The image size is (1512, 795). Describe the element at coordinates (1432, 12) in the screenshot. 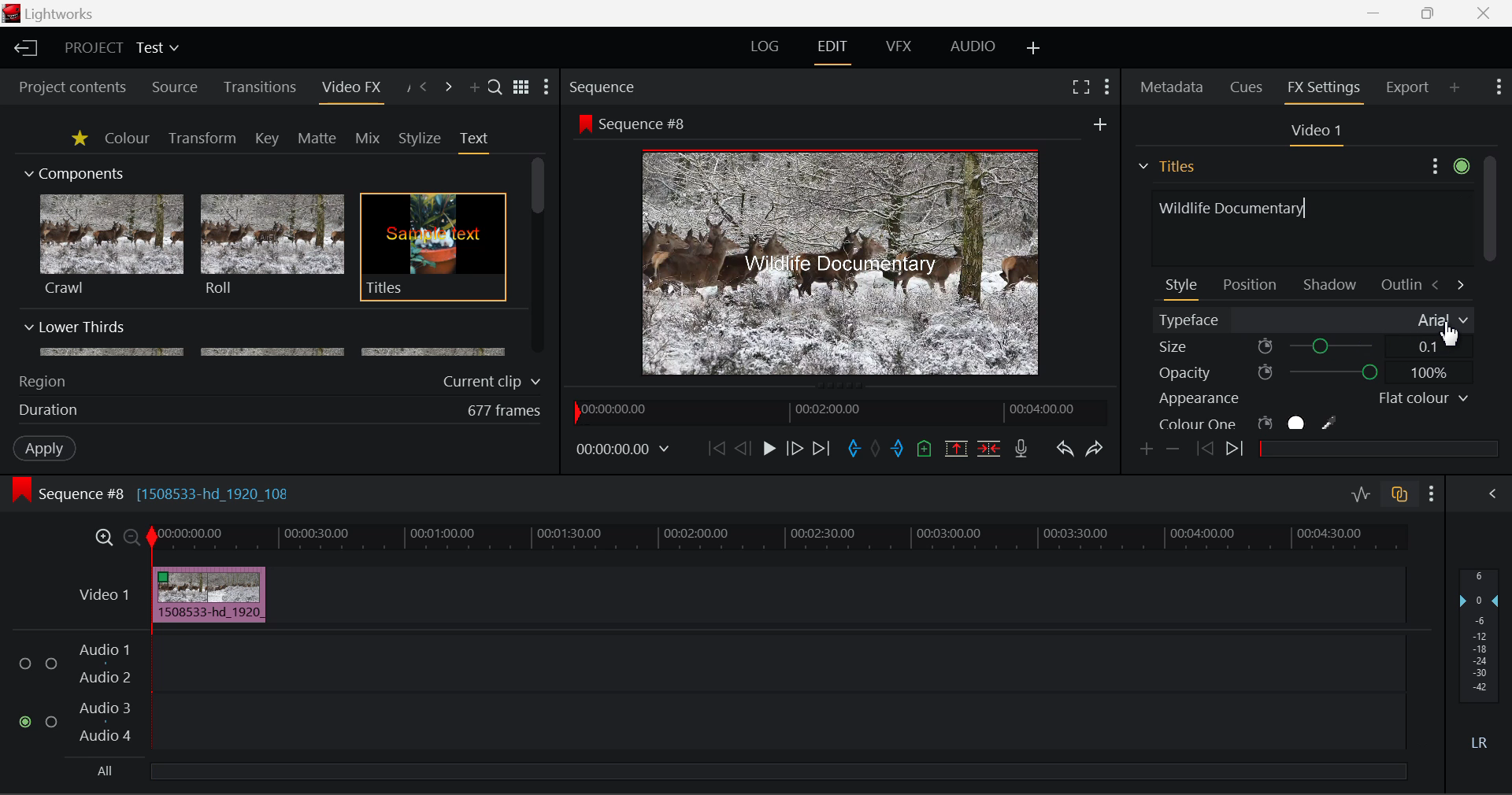

I see `Minimize` at that location.